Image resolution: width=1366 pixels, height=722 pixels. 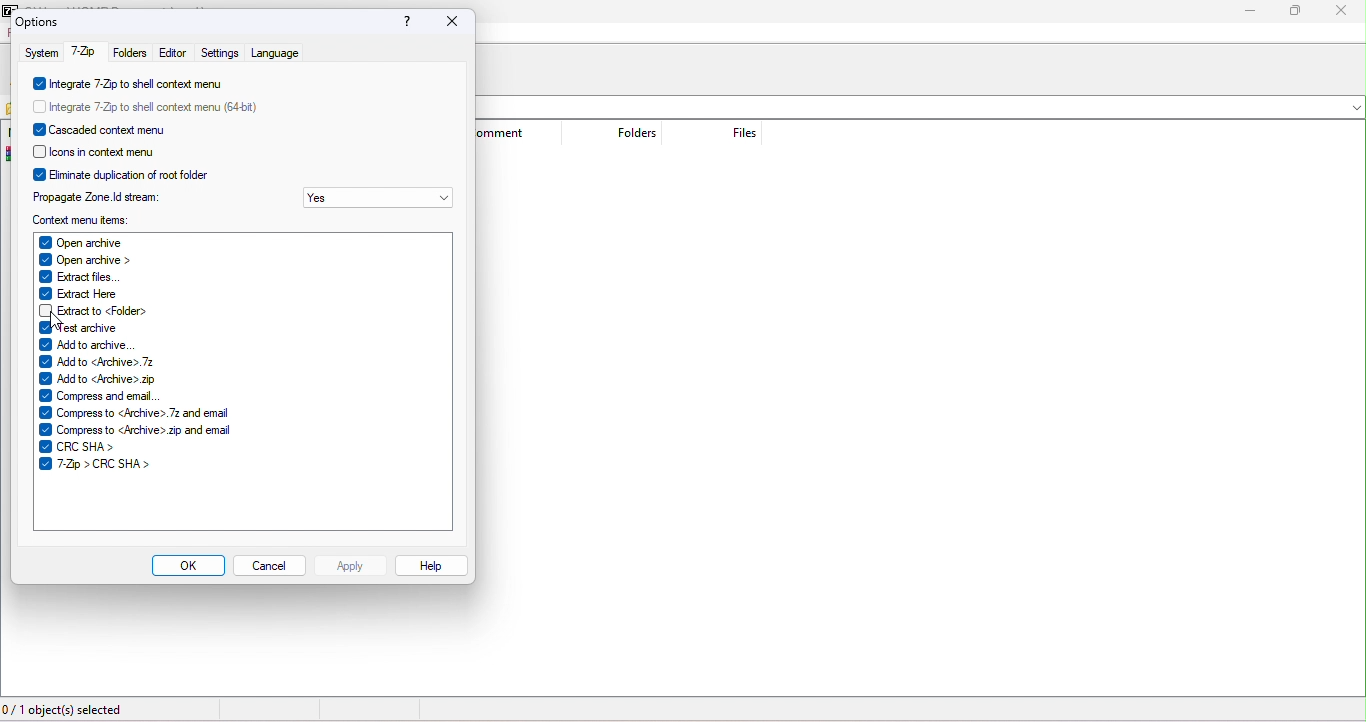 What do you see at coordinates (98, 362) in the screenshot?
I see `add to <archive>.7z` at bounding box center [98, 362].